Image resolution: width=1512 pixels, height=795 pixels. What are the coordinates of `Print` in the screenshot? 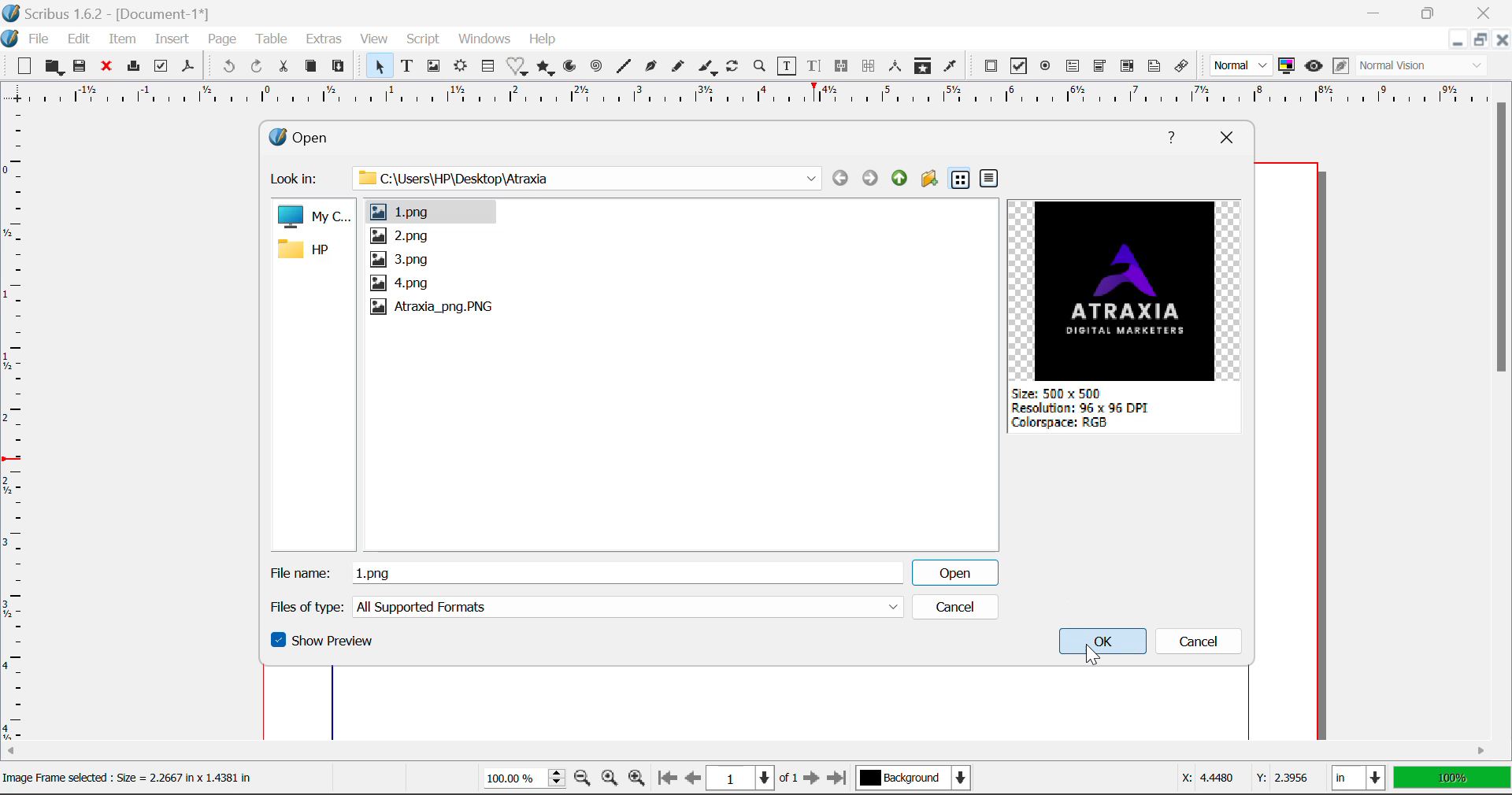 It's located at (136, 67).